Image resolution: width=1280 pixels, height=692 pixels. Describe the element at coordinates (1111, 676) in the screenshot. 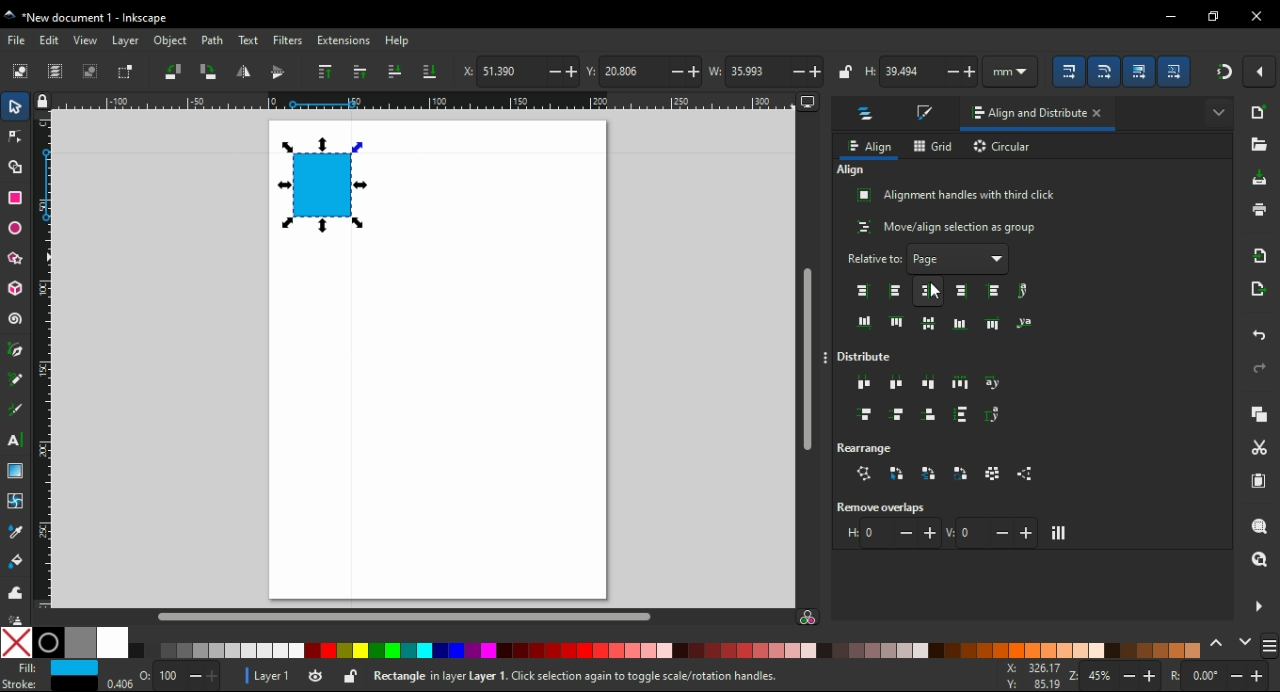

I see `zoom in/zoom out` at that location.